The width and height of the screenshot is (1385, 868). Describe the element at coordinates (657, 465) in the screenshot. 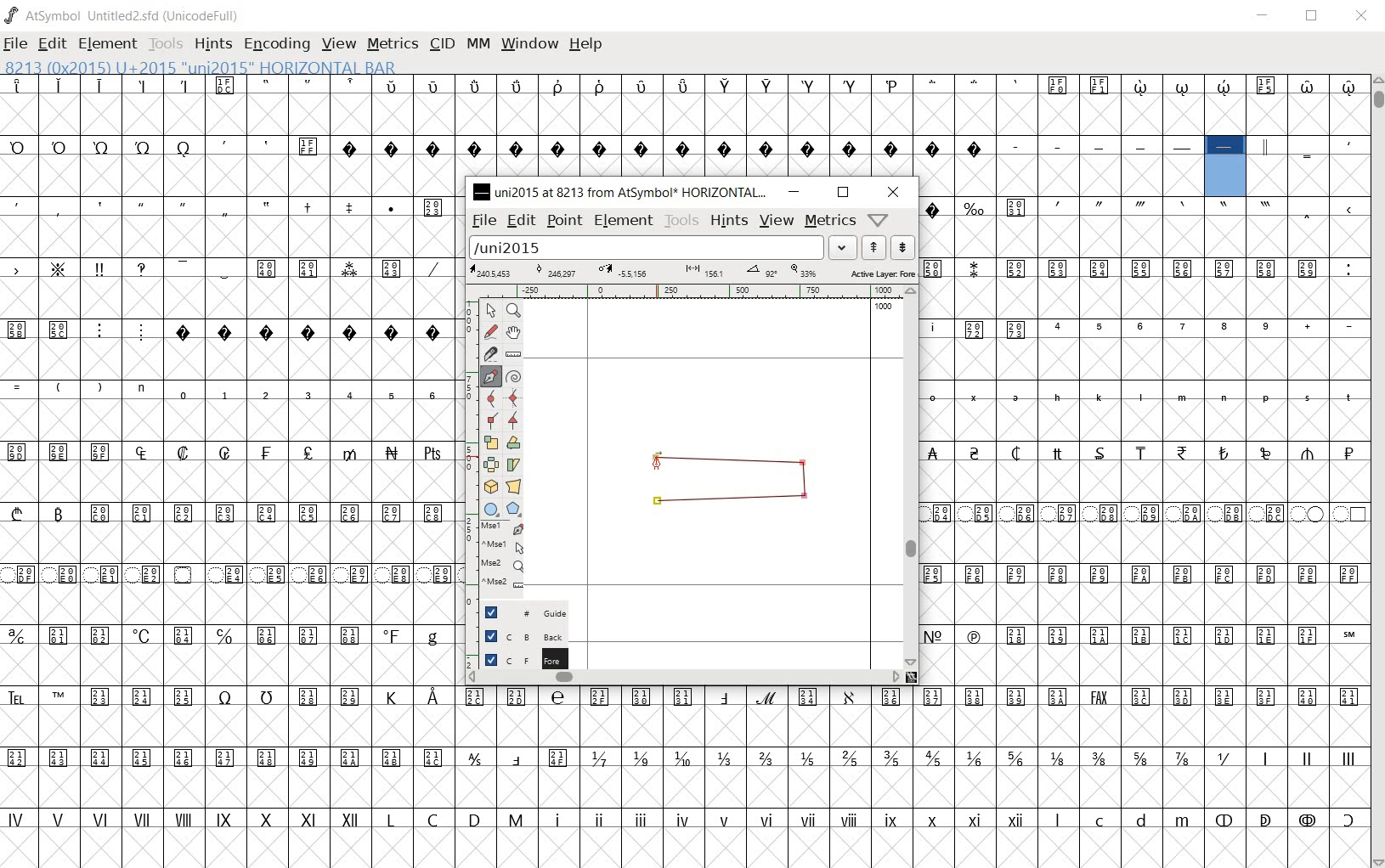

I see `Feltpen tool/cursor location` at that location.